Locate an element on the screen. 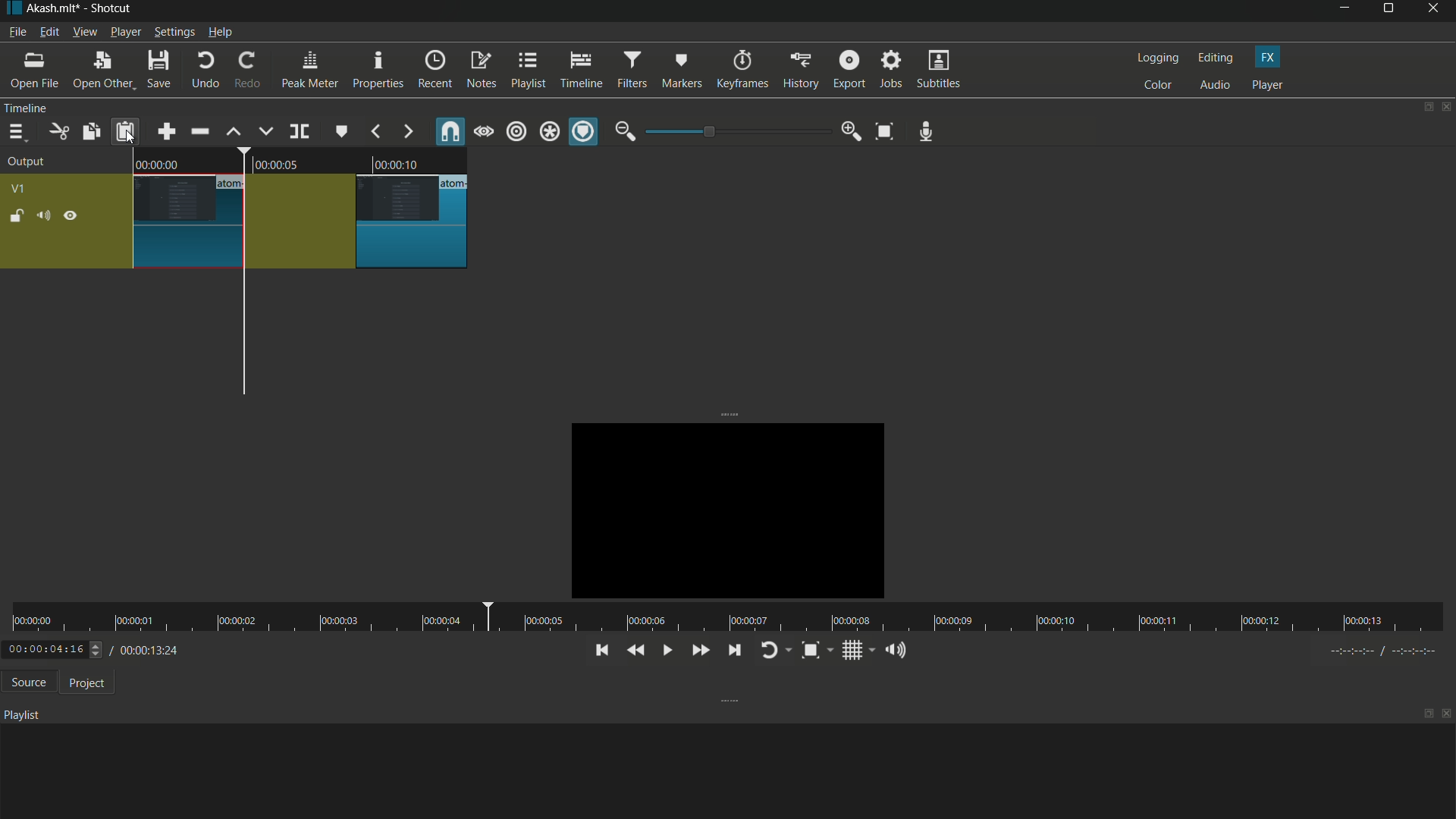 The image size is (1456, 819). player is located at coordinates (1268, 85).